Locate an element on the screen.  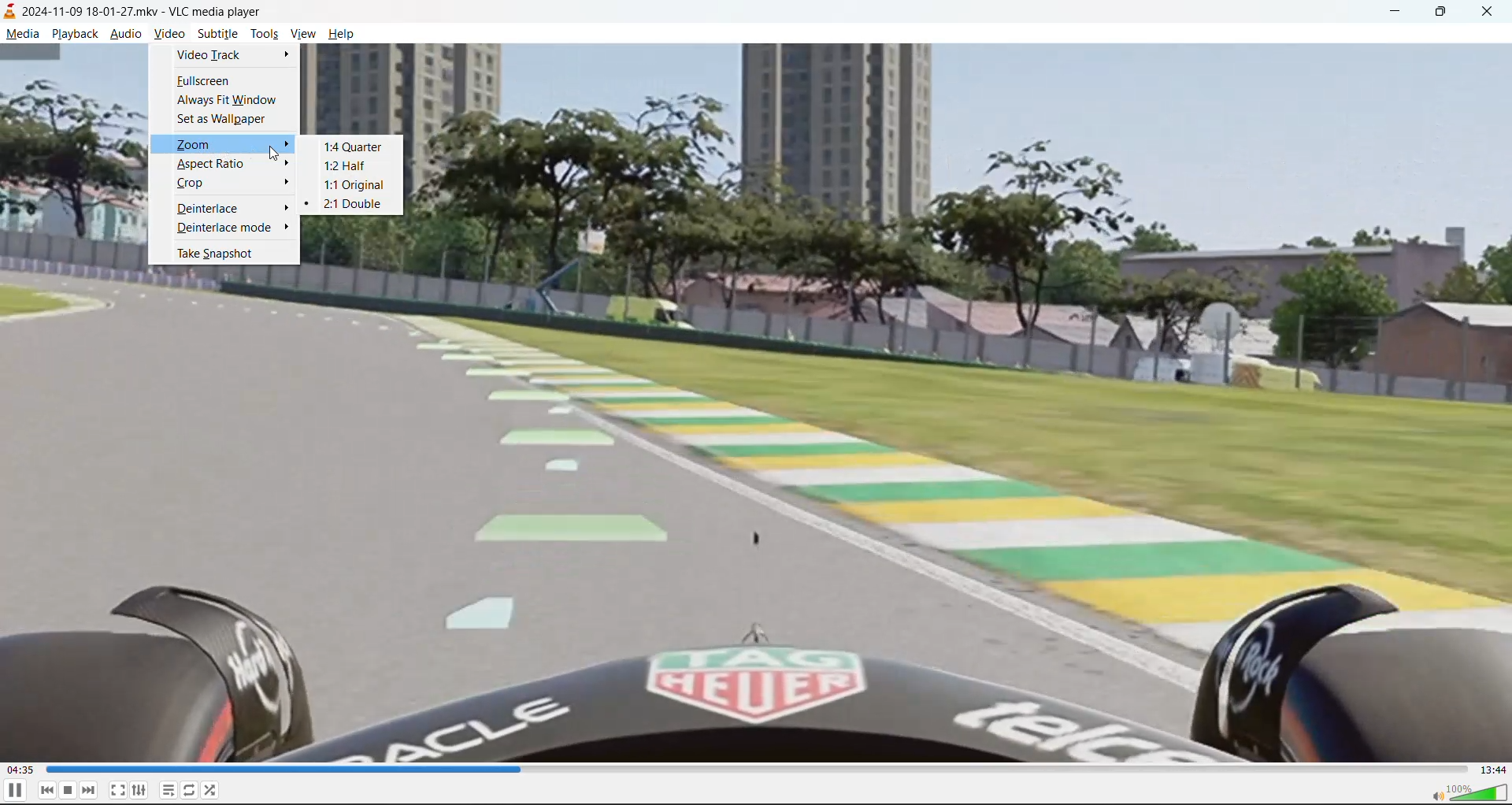
audio is located at coordinates (126, 33).